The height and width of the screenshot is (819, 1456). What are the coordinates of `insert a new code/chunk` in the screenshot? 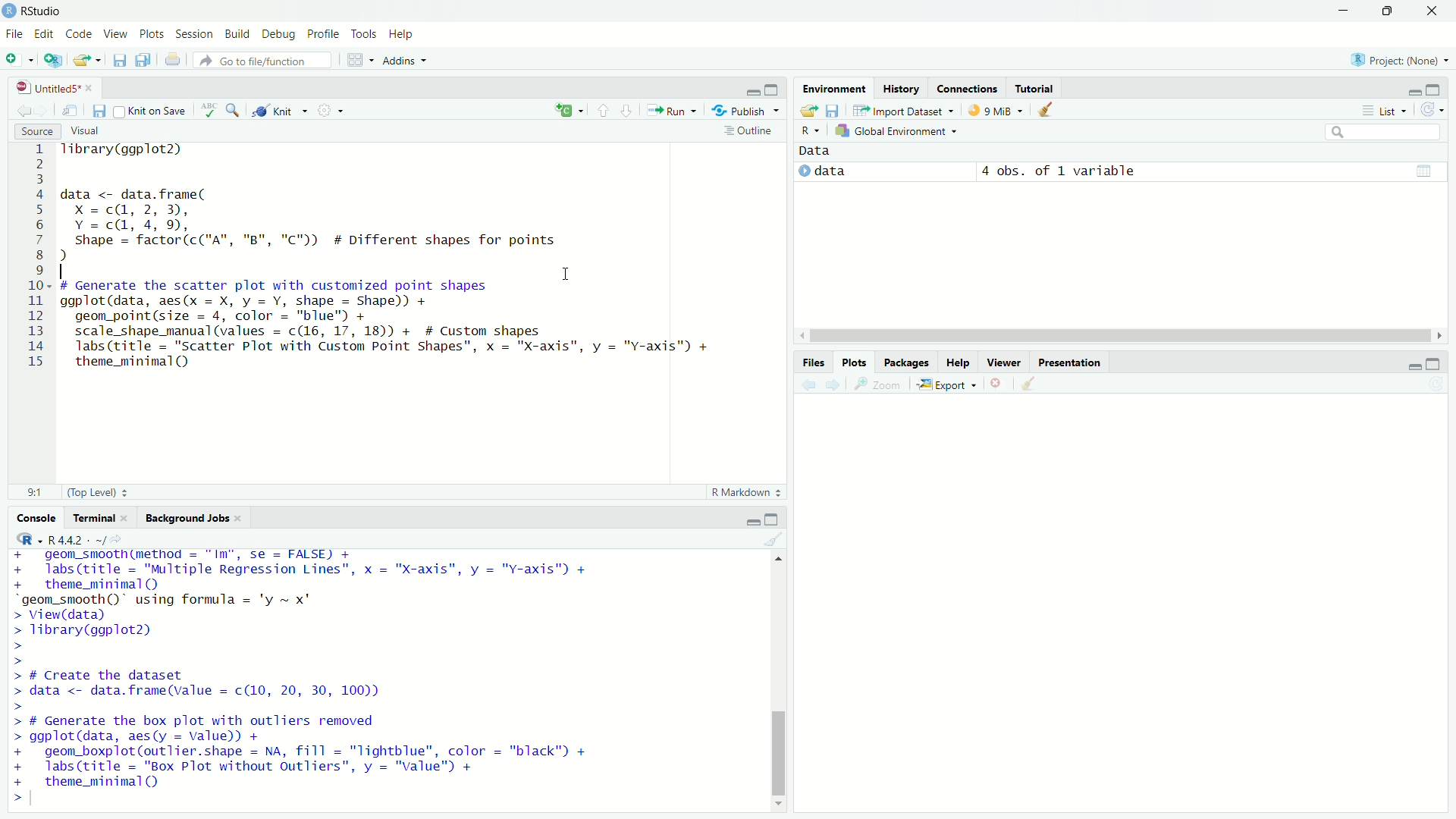 It's located at (570, 109).